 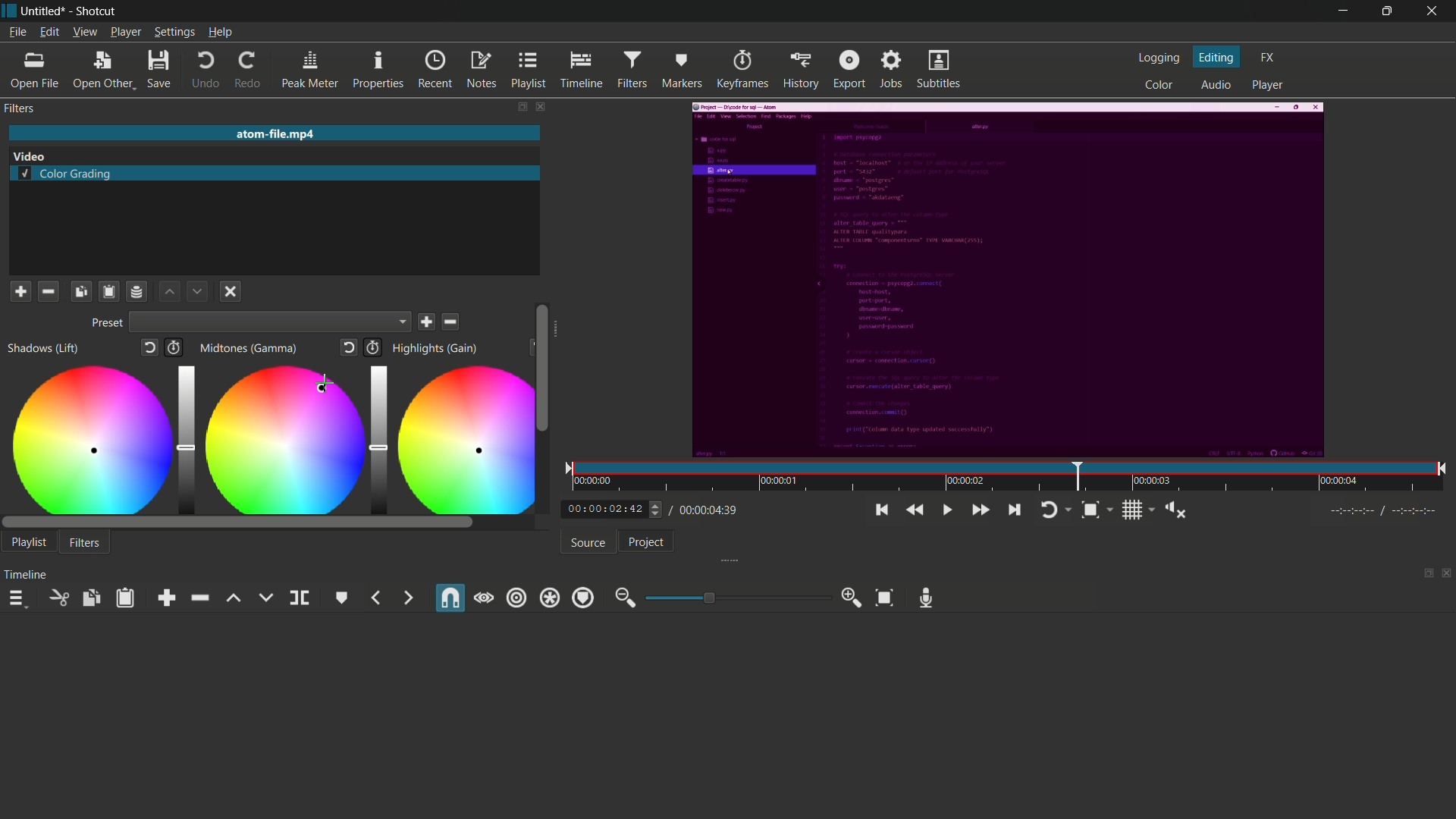 What do you see at coordinates (85, 31) in the screenshot?
I see `view menu` at bounding box center [85, 31].